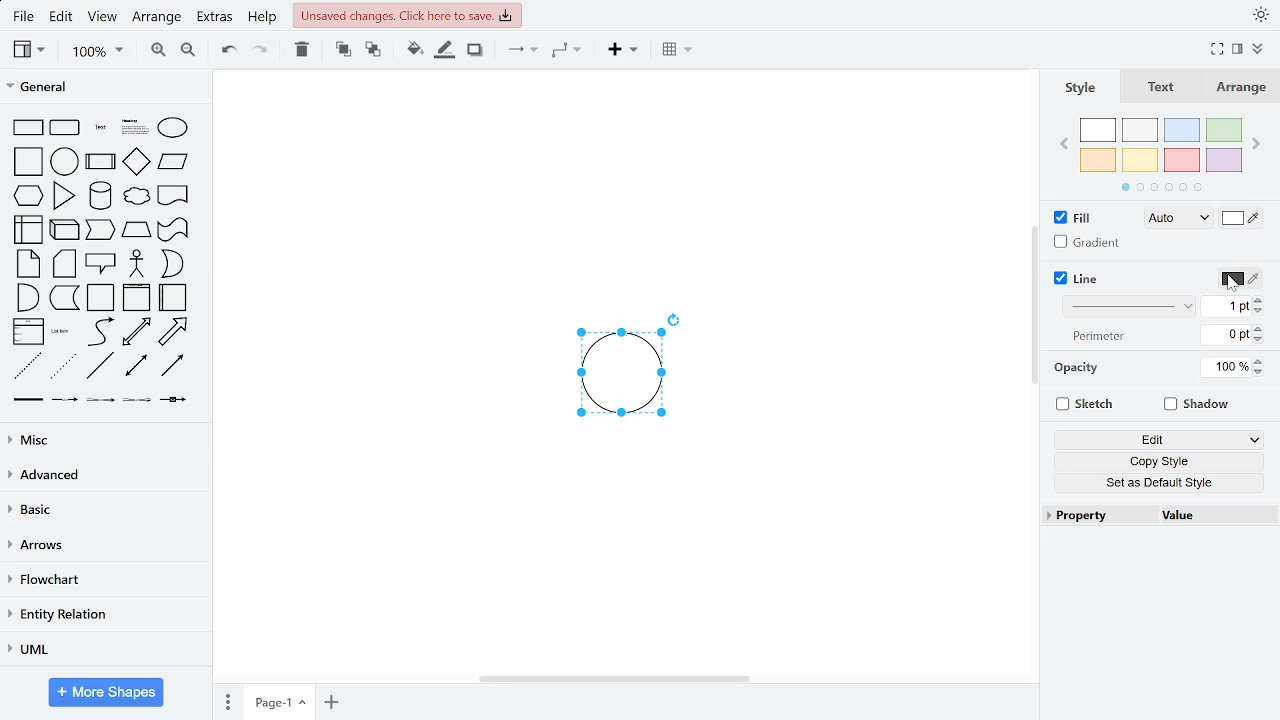 The height and width of the screenshot is (720, 1280). What do you see at coordinates (66, 162) in the screenshot?
I see `circle` at bounding box center [66, 162].